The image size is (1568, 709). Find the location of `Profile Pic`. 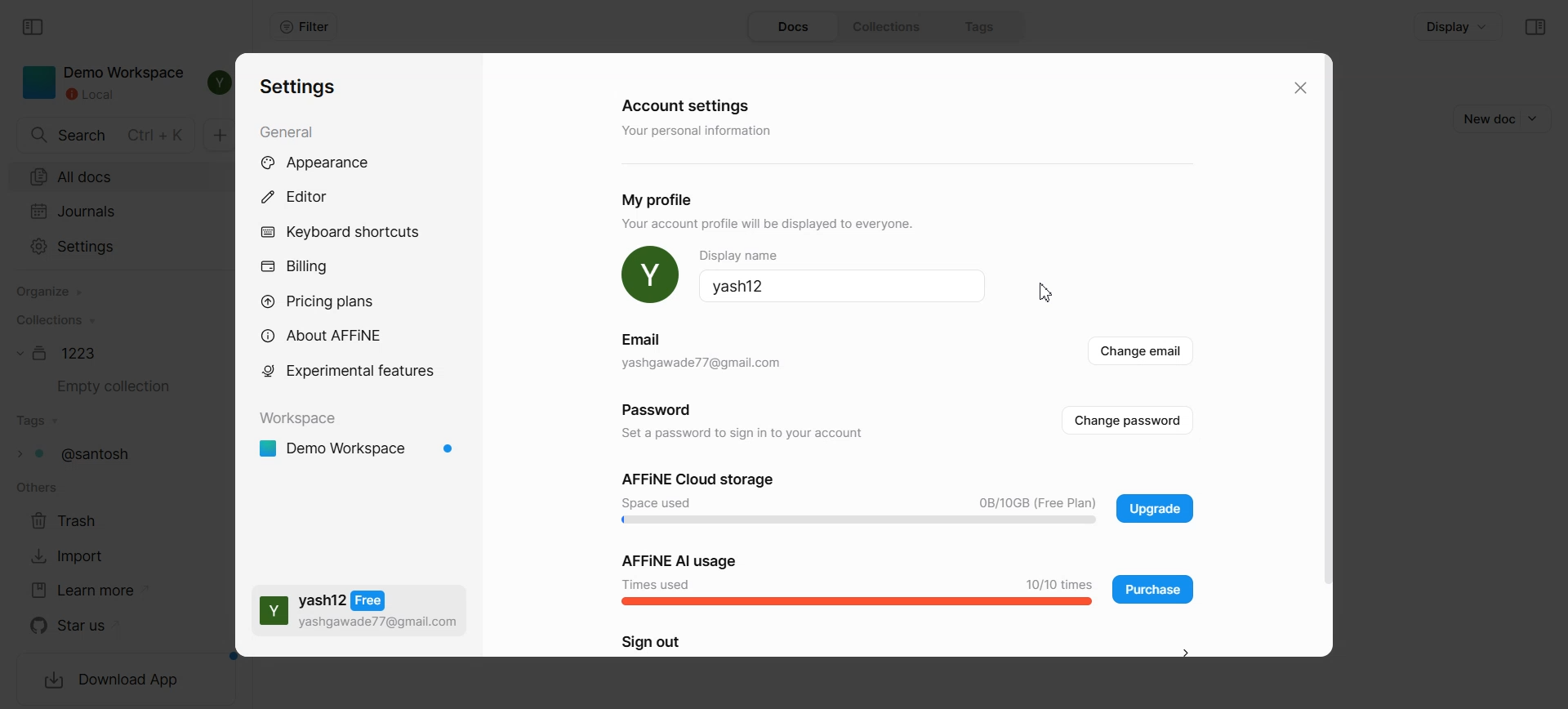

Profile Pic is located at coordinates (650, 275).